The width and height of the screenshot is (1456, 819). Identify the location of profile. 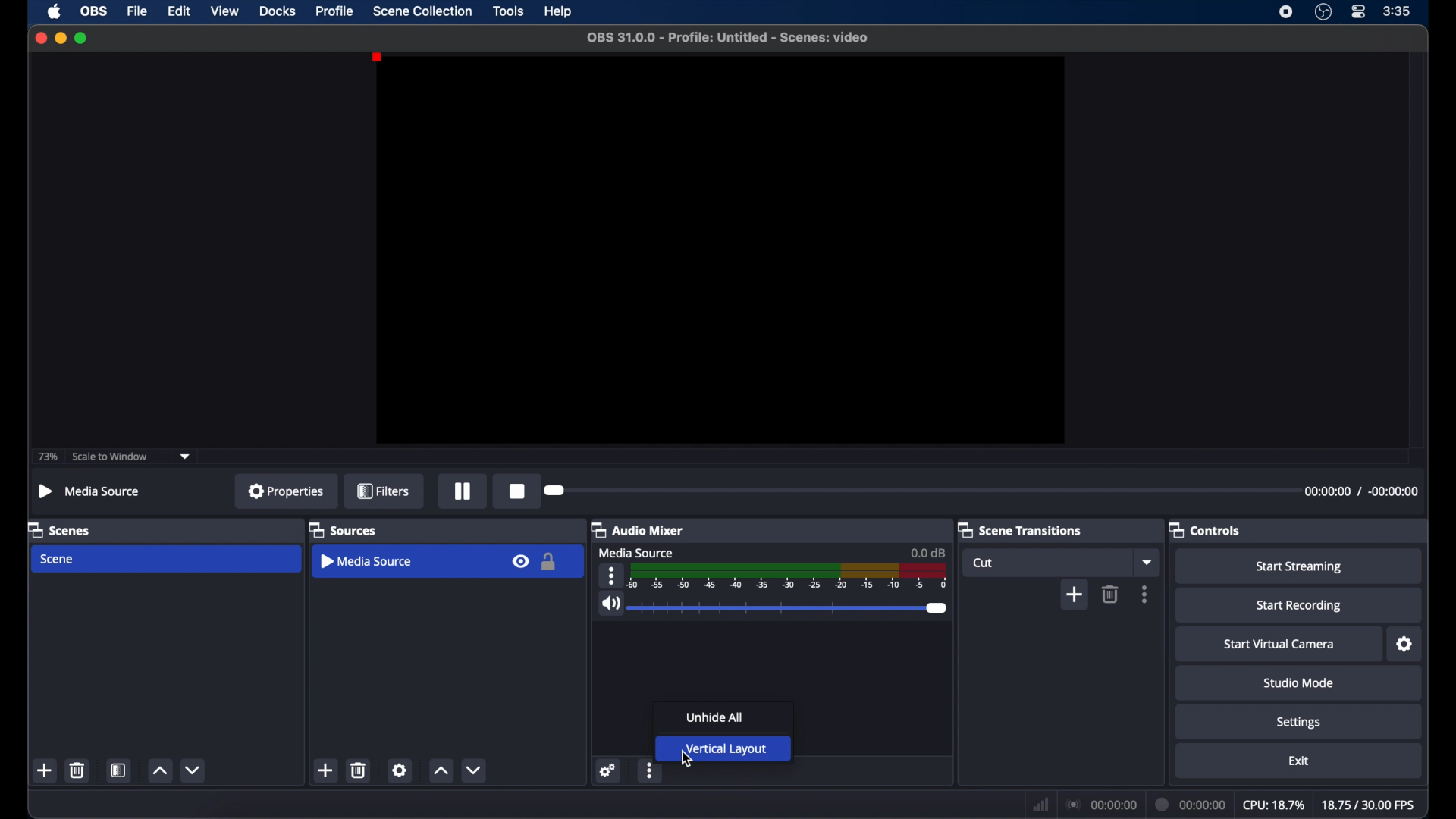
(336, 11).